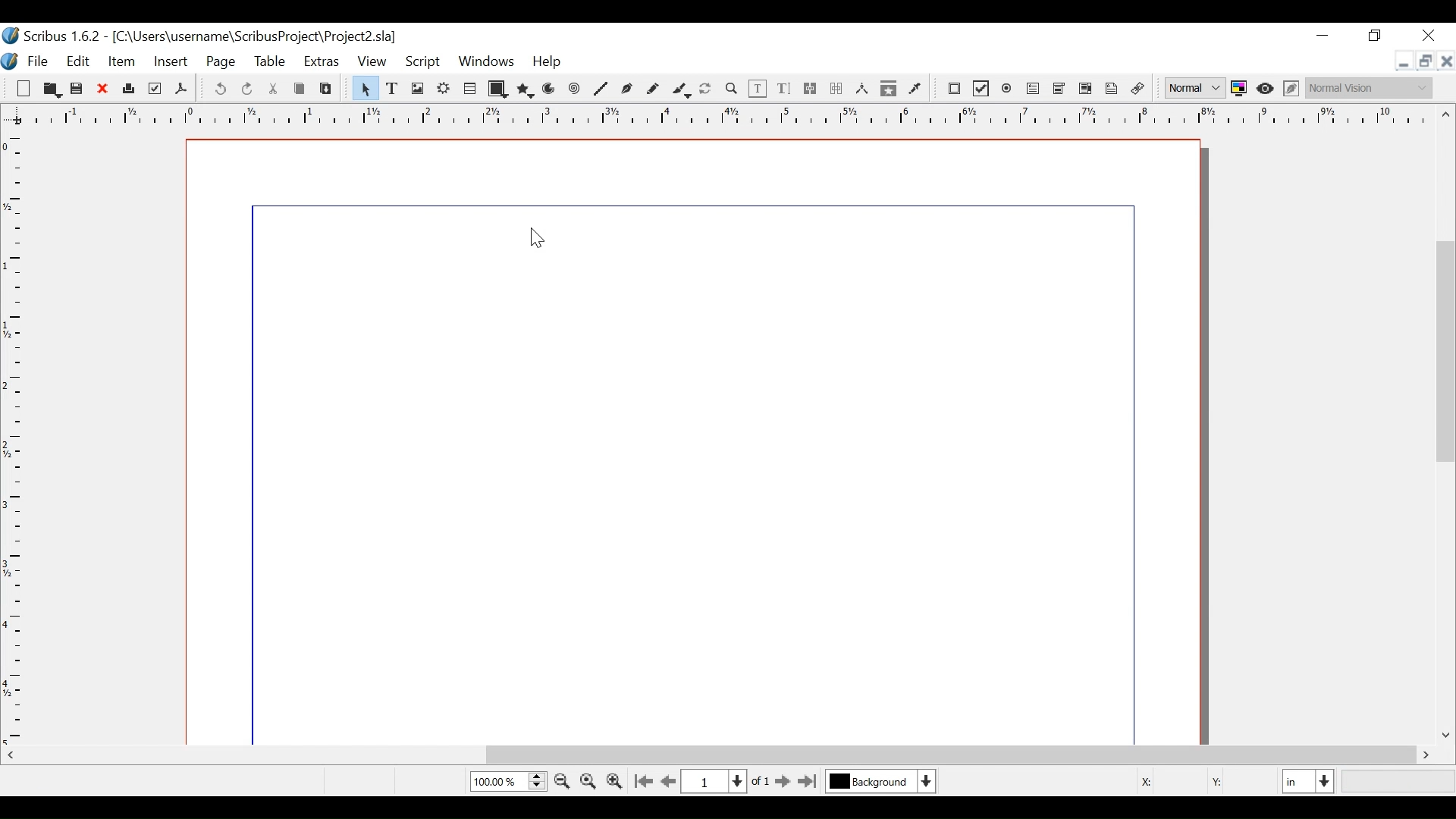  Describe the element at coordinates (1444, 354) in the screenshot. I see `Vertical` at that location.